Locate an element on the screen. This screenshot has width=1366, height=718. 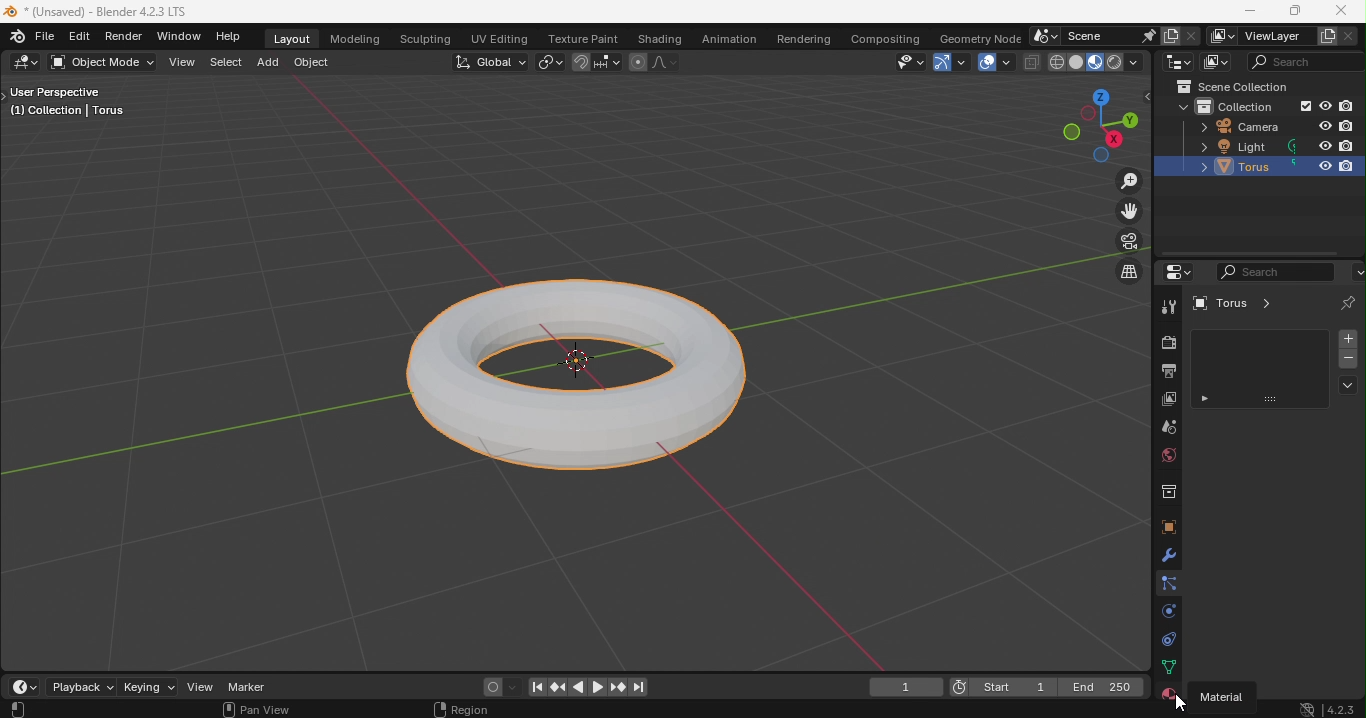
Snap is located at coordinates (579, 61).